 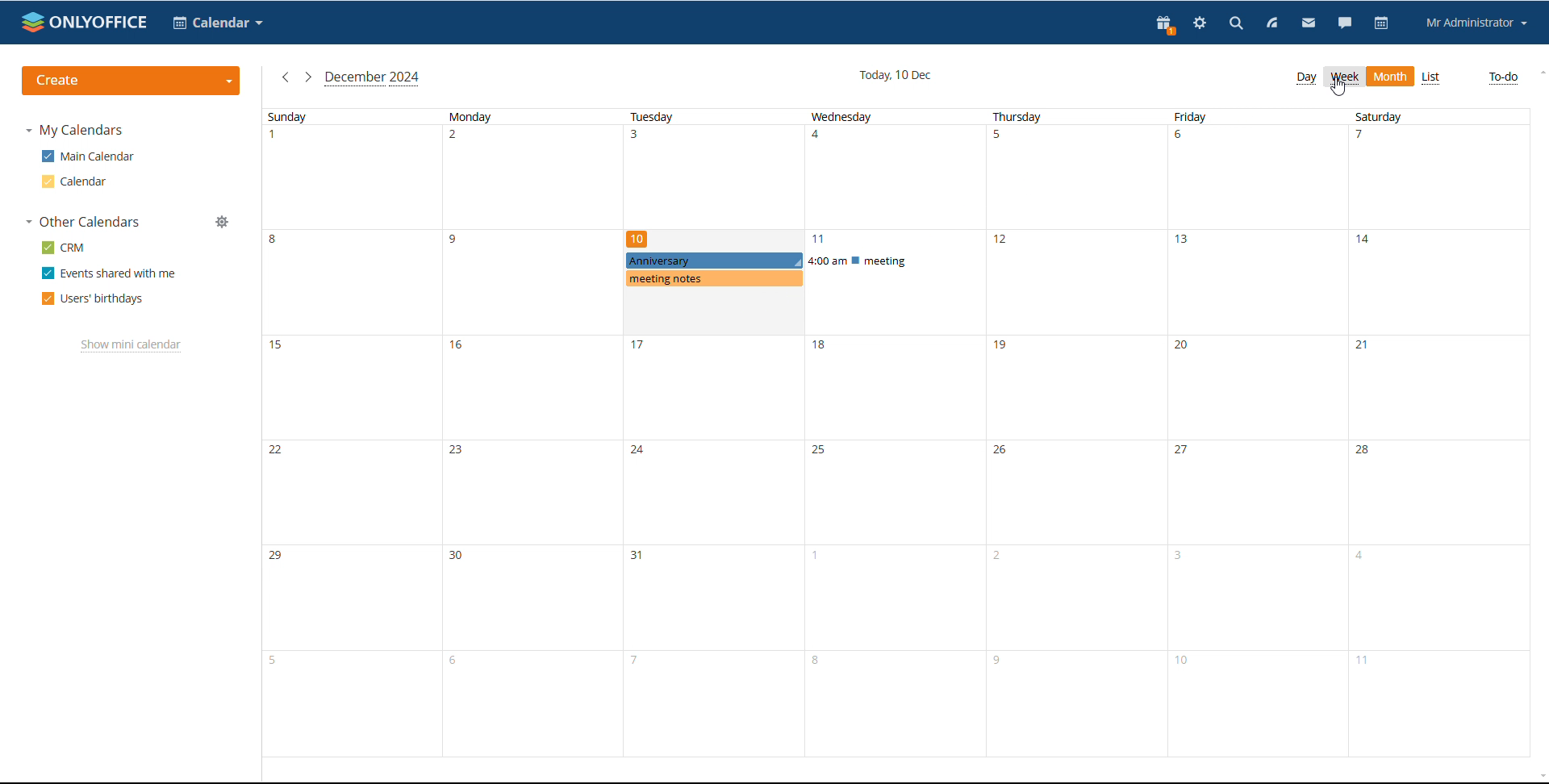 I want to click on to-do, so click(x=1501, y=78).